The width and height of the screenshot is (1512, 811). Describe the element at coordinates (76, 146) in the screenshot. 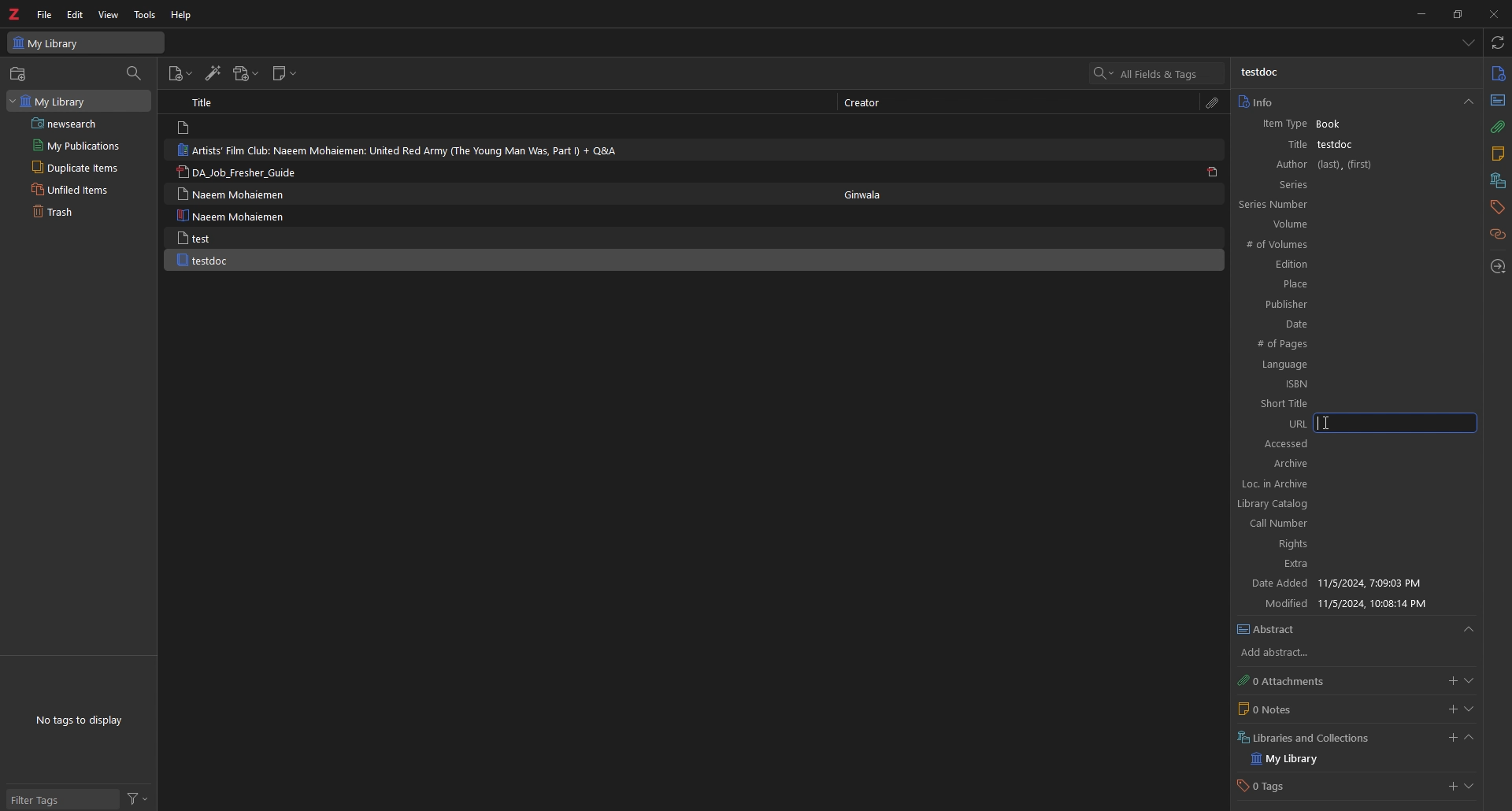

I see `my publications` at that location.